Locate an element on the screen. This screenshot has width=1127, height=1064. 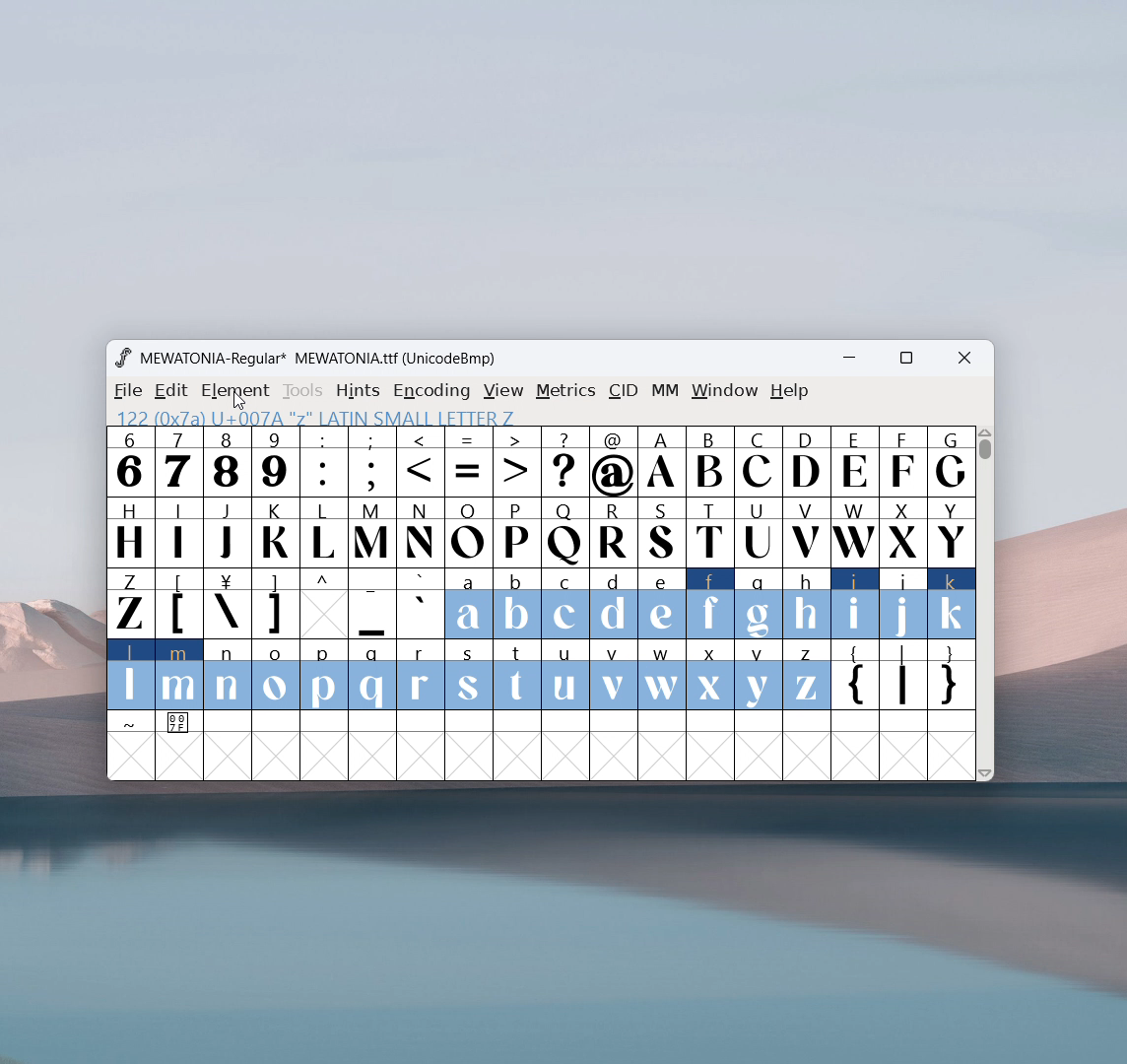
; is located at coordinates (372, 462).